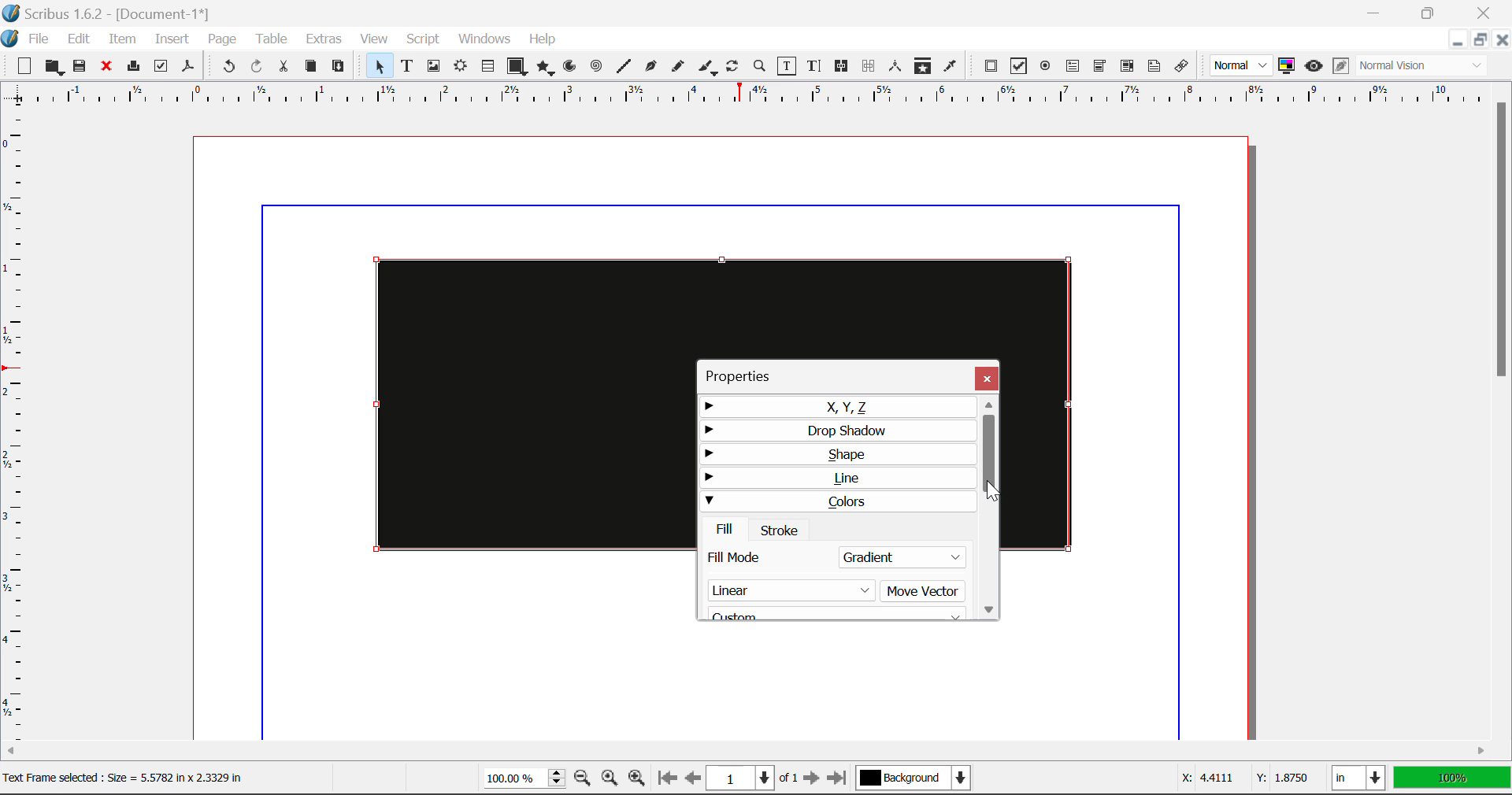 This screenshot has width=1512, height=795. Describe the element at coordinates (510, 403) in the screenshot. I see `Text Frame Color Changed` at that location.